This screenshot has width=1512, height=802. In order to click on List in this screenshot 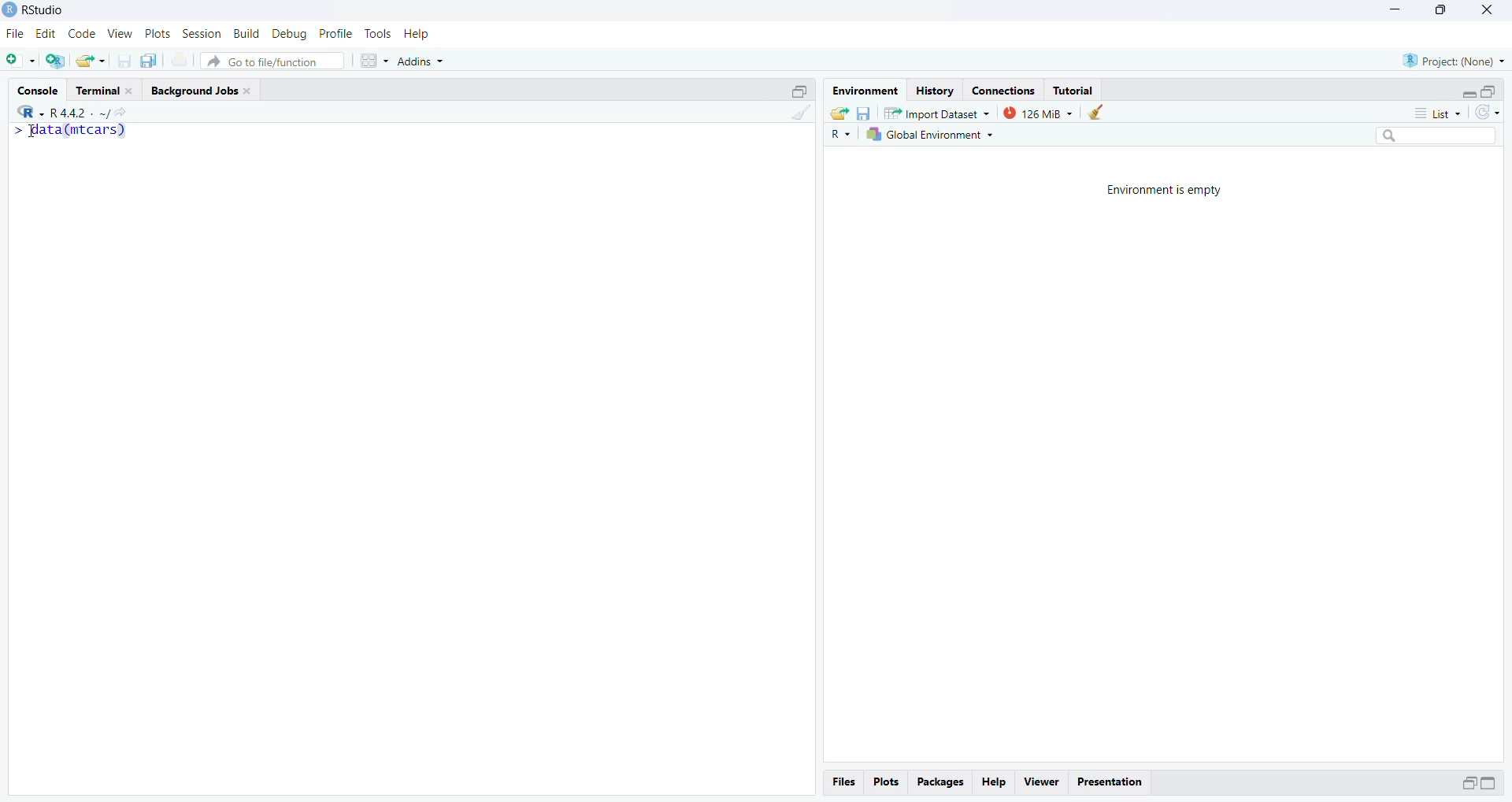, I will do `click(1437, 112)`.